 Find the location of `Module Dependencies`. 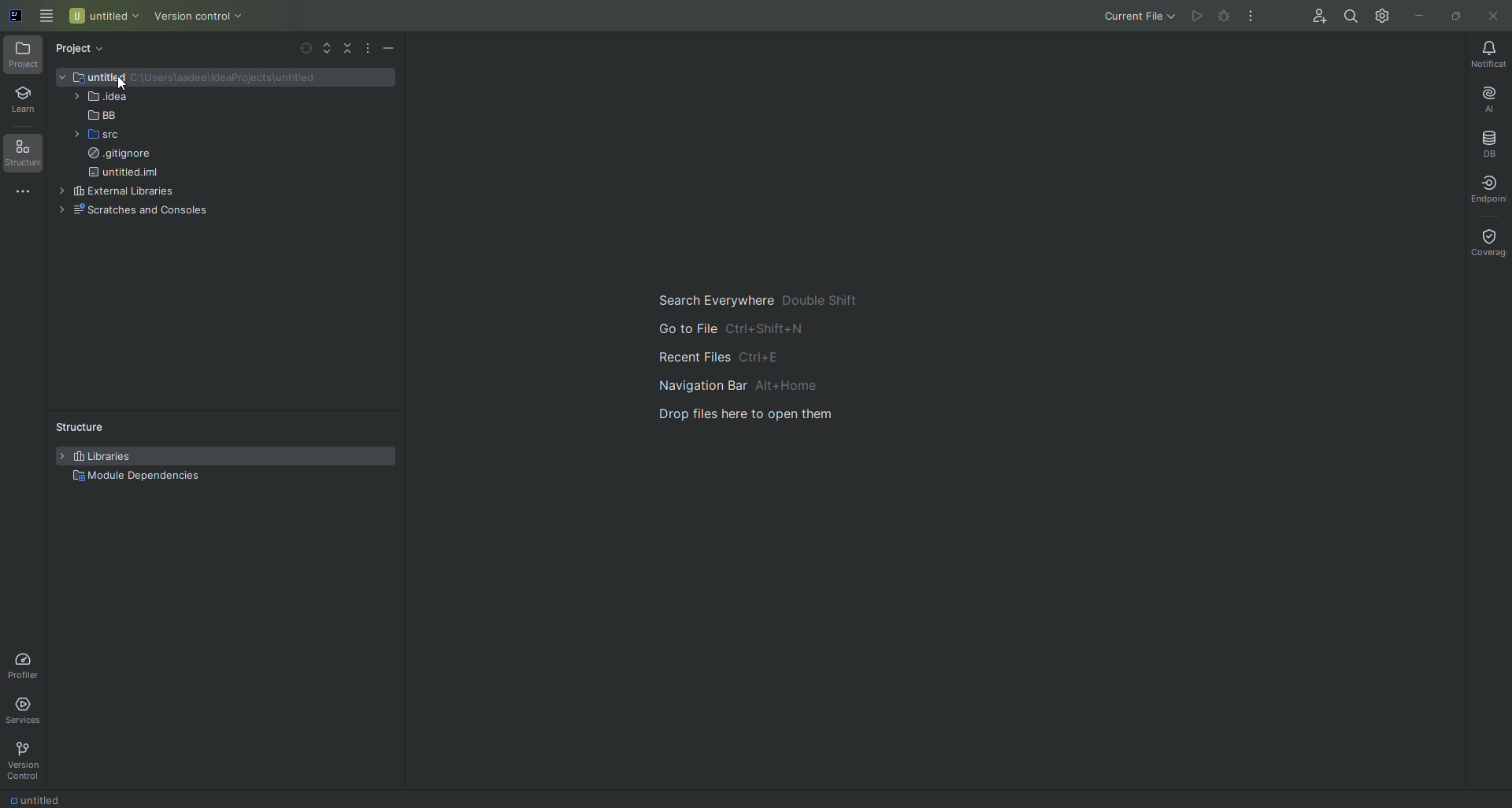

Module Dependencies is located at coordinates (138, 477).